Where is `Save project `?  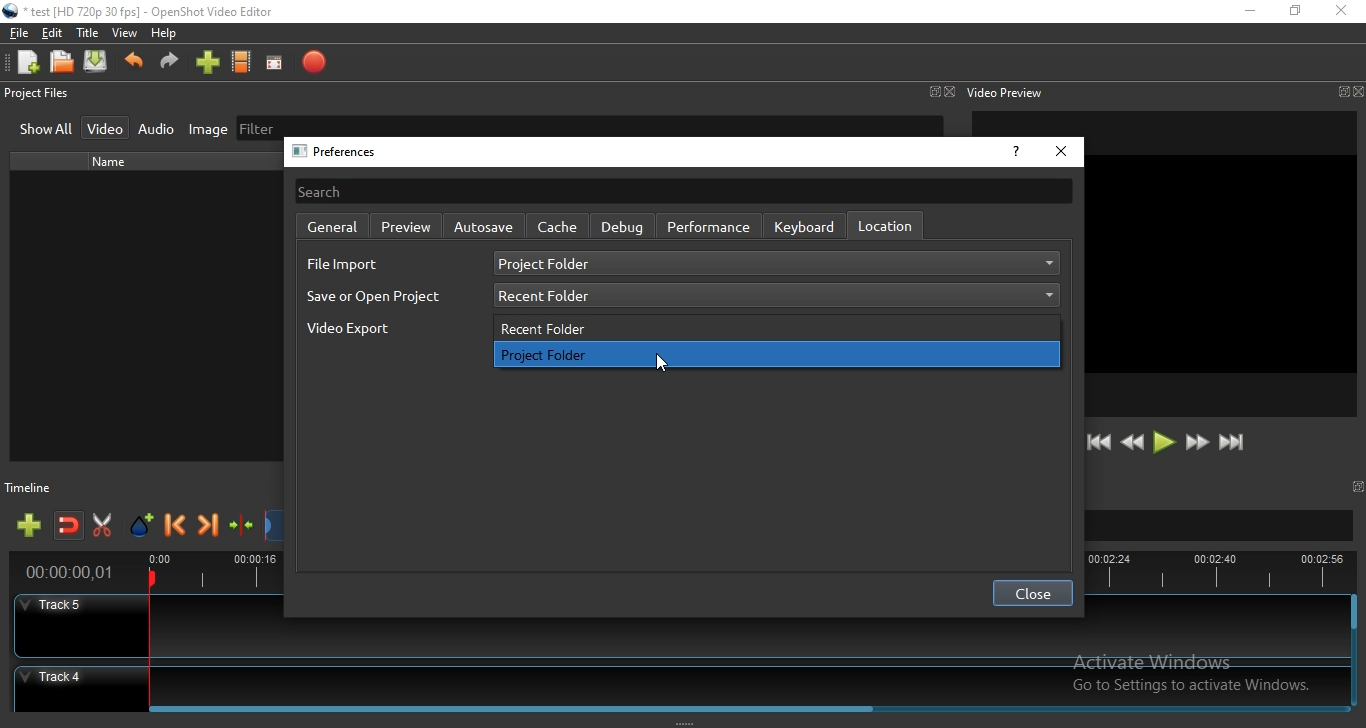
Save project  is located at coordinates (97, 63).